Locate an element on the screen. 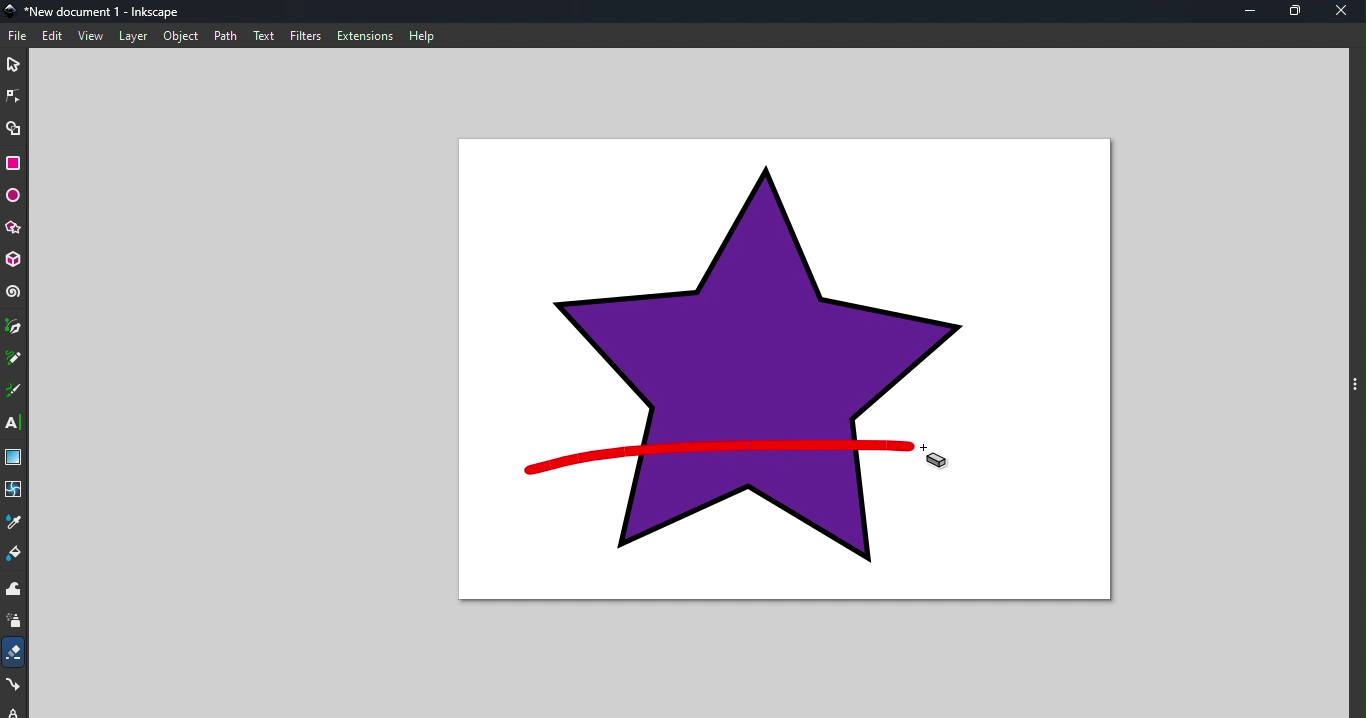 The width and height of the screenshot is (1366, 718). tweak tool is located at coordinates (13, 590).